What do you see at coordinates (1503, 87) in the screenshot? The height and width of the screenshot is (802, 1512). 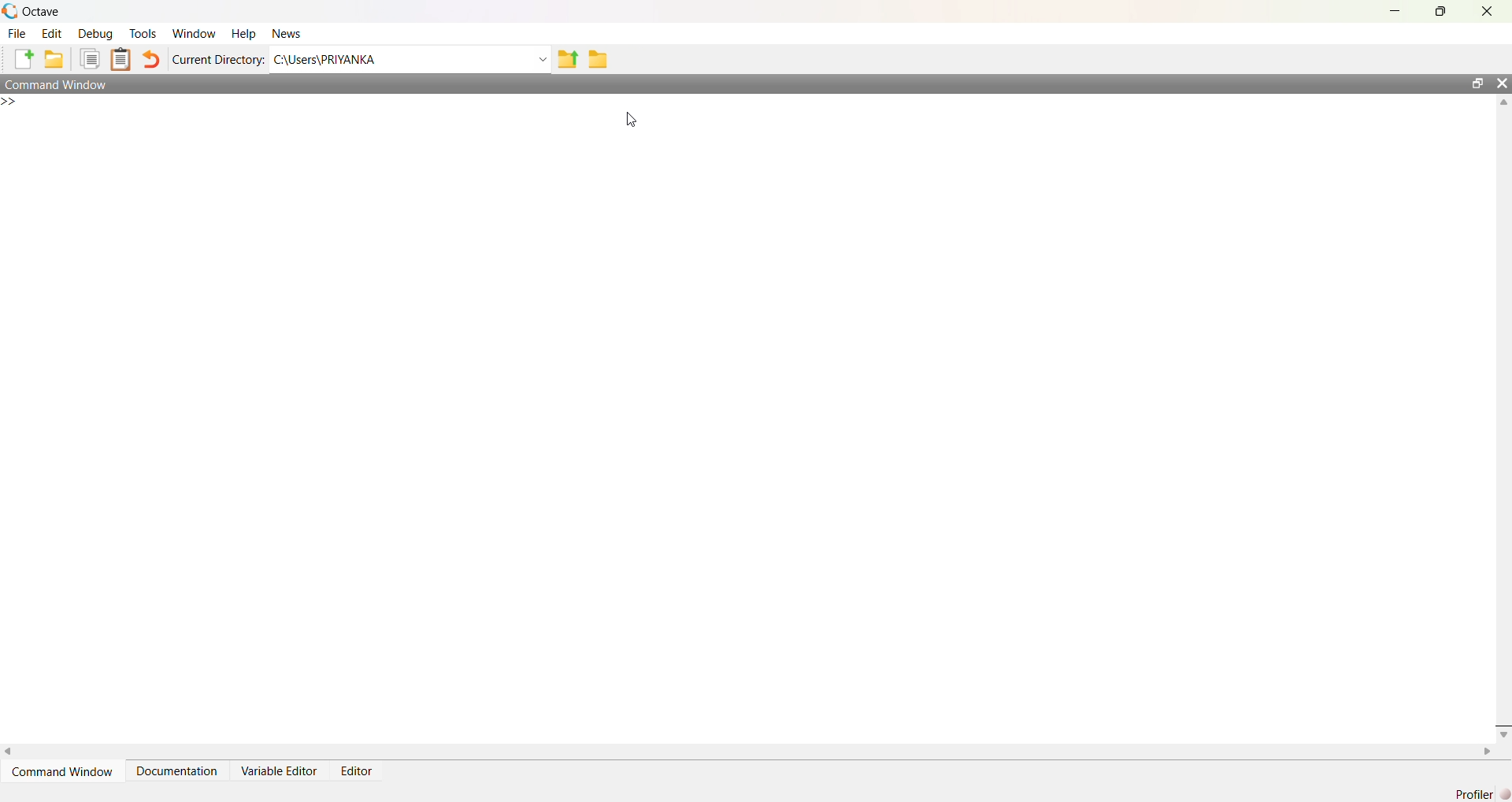 I see `Close` at bounding box center [1503, 87].